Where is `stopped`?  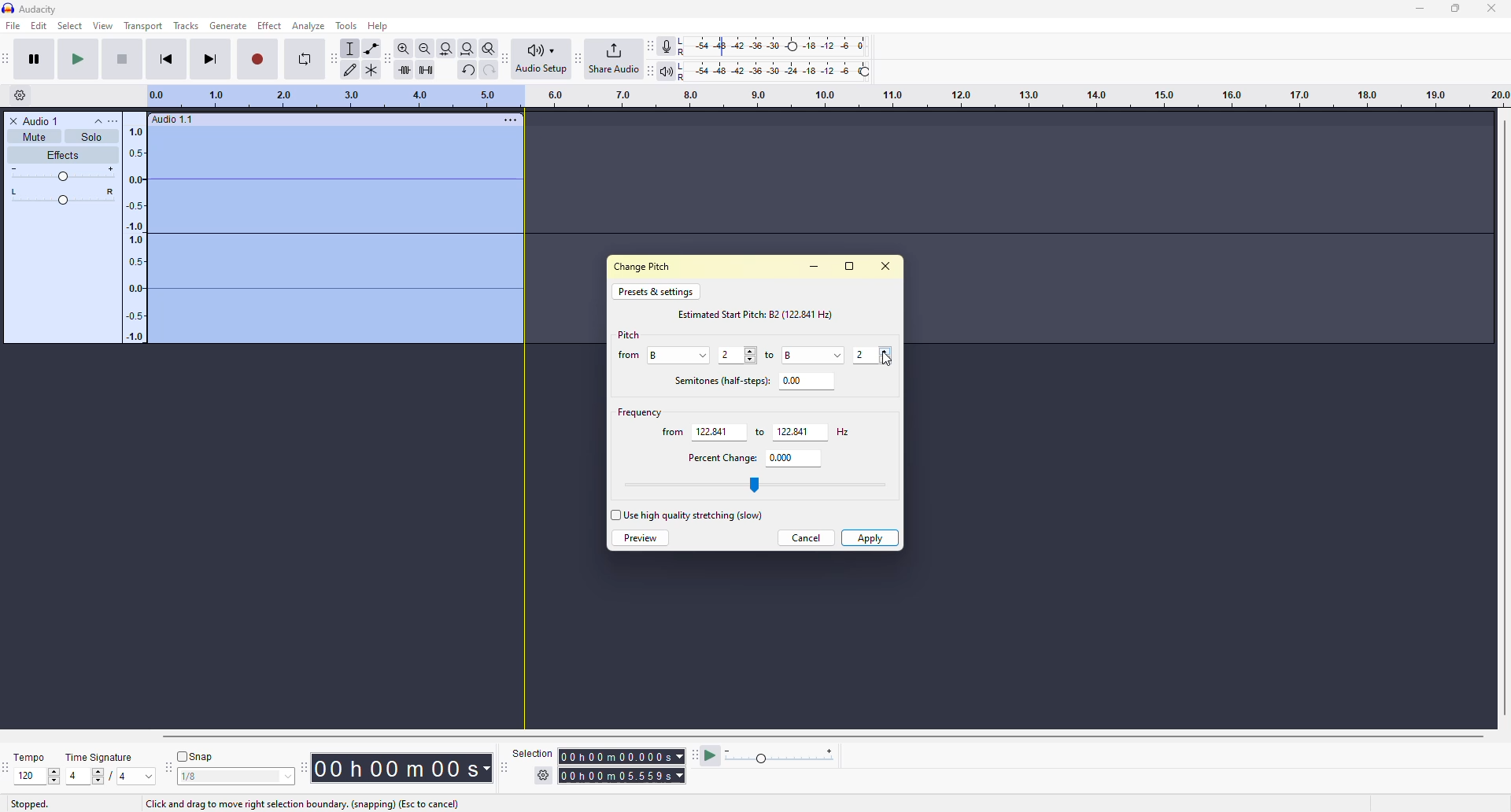 stopped is located at coordinates (29, 803).